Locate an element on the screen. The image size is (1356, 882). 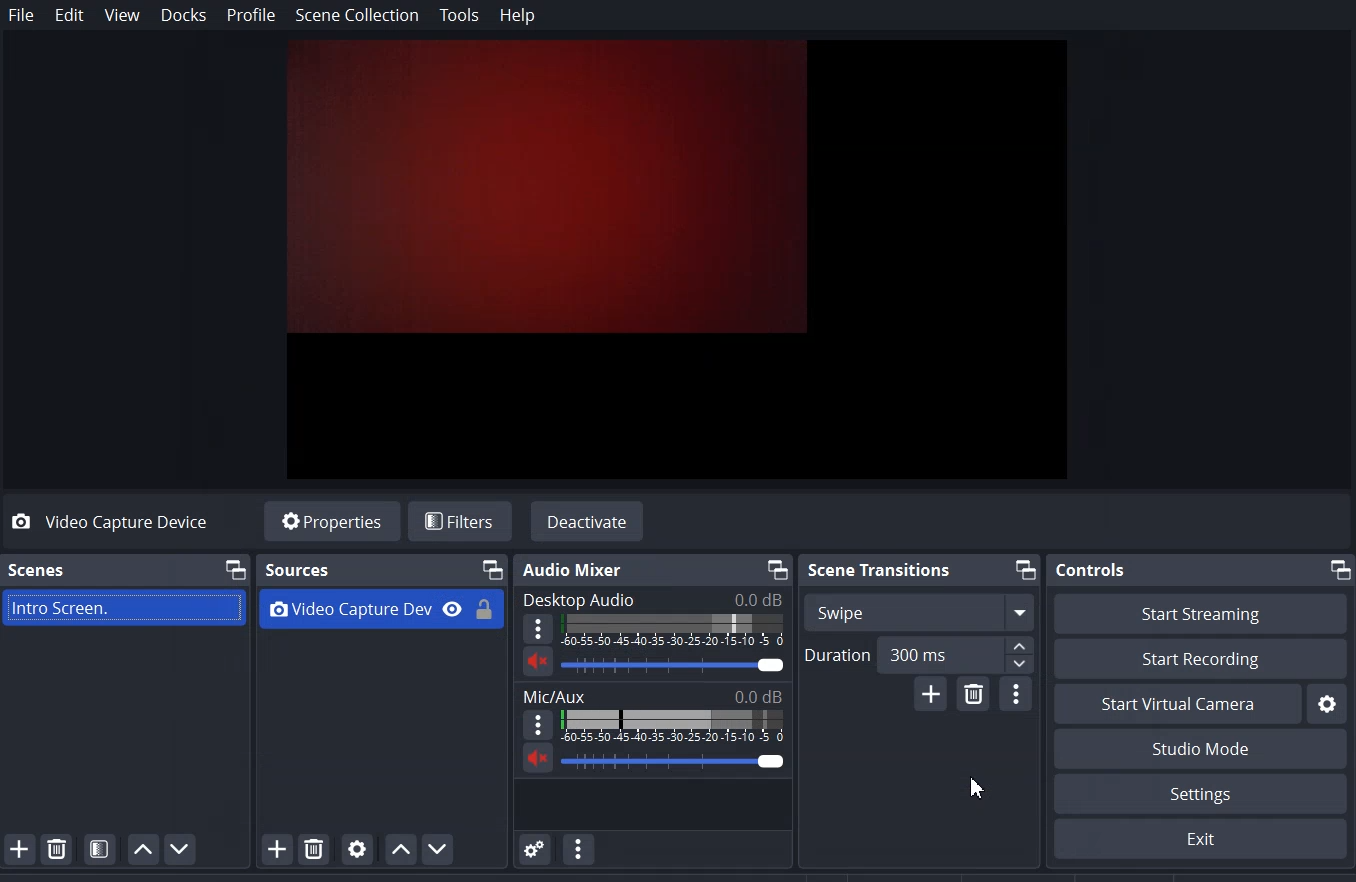
Video Capture Dev is located at coordinates (347, 607).